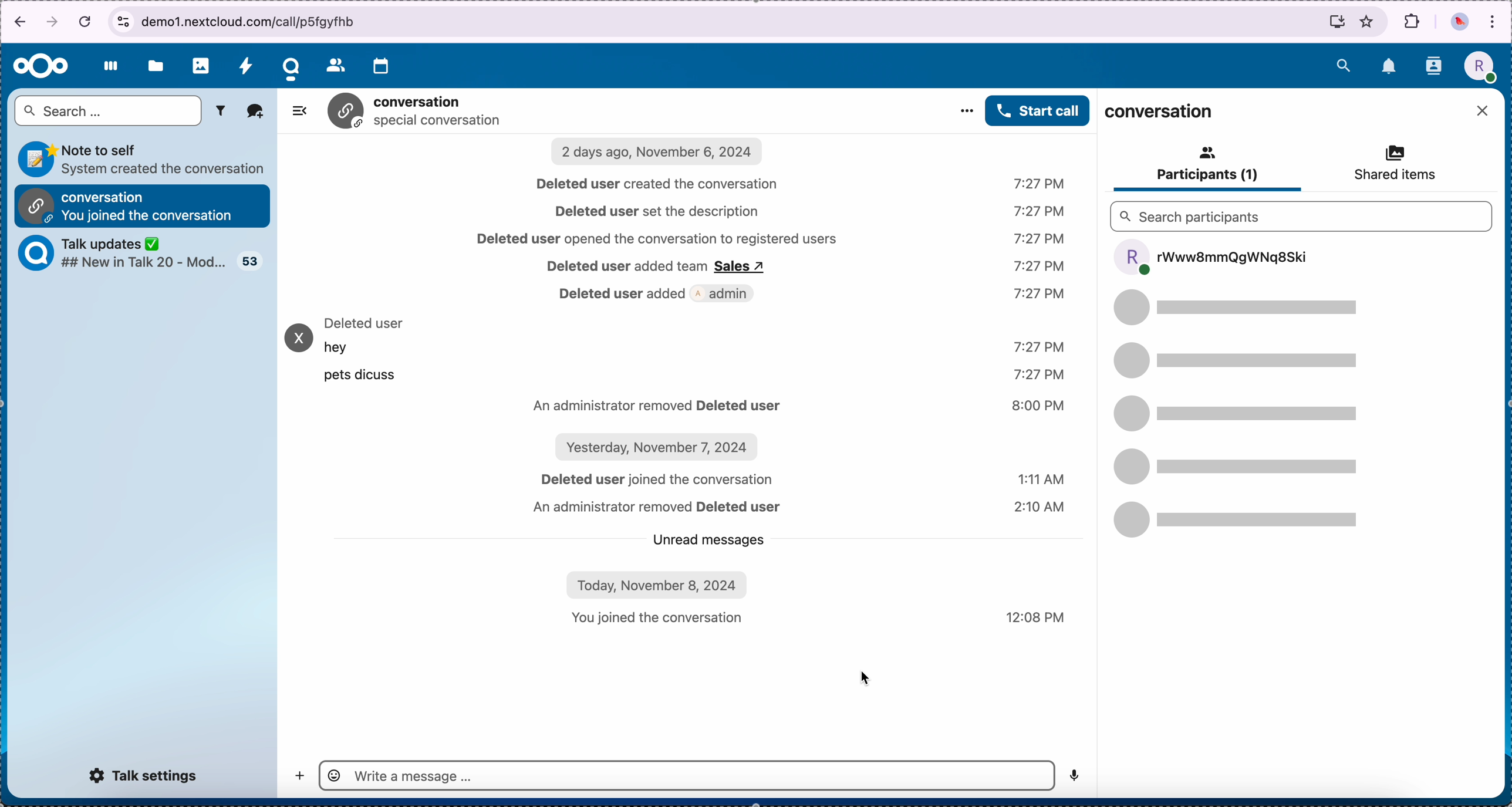  I want to click on talk updates, so click(121, 252).